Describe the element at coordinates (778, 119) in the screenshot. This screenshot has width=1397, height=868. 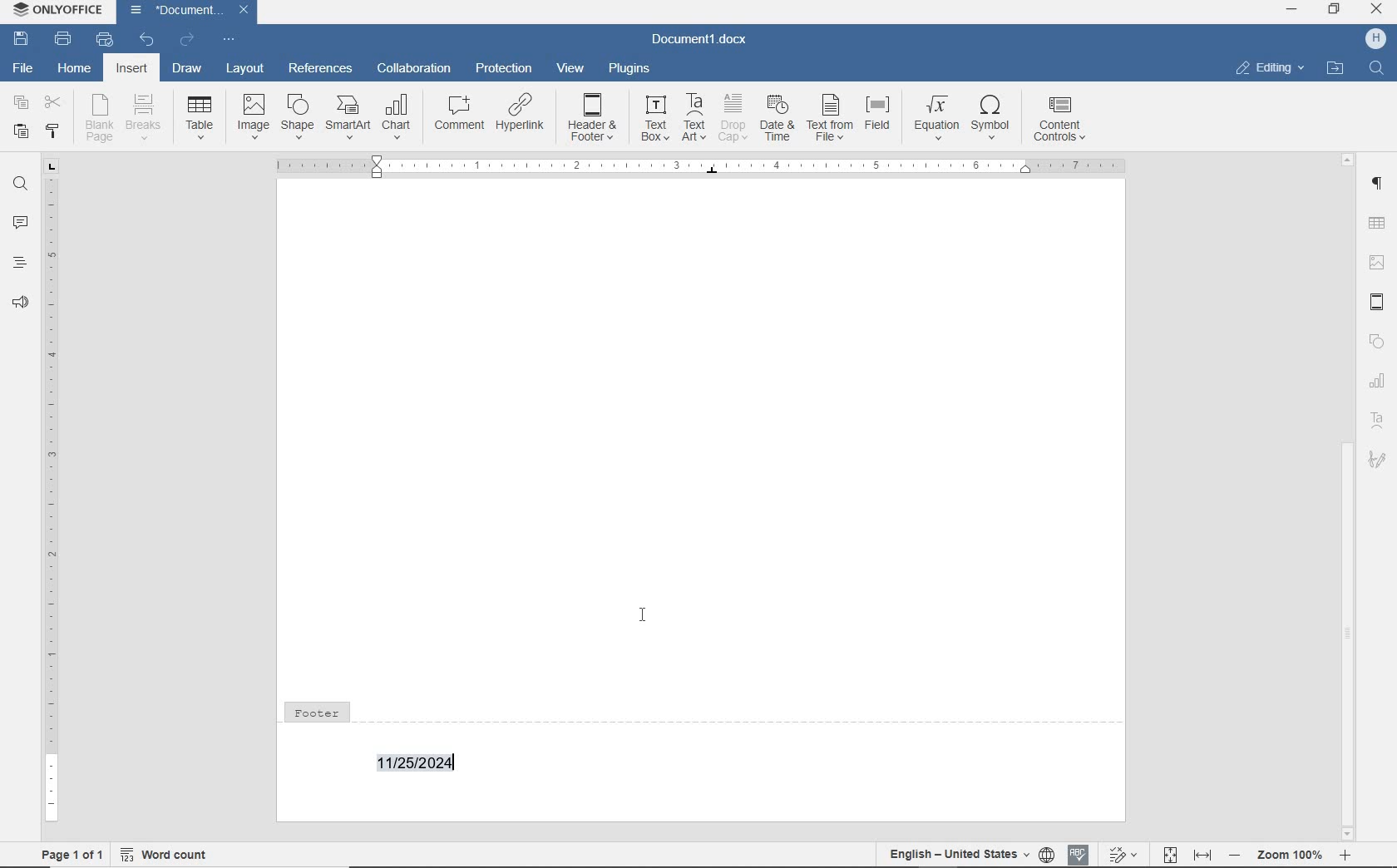
I see `date & time` at that location.